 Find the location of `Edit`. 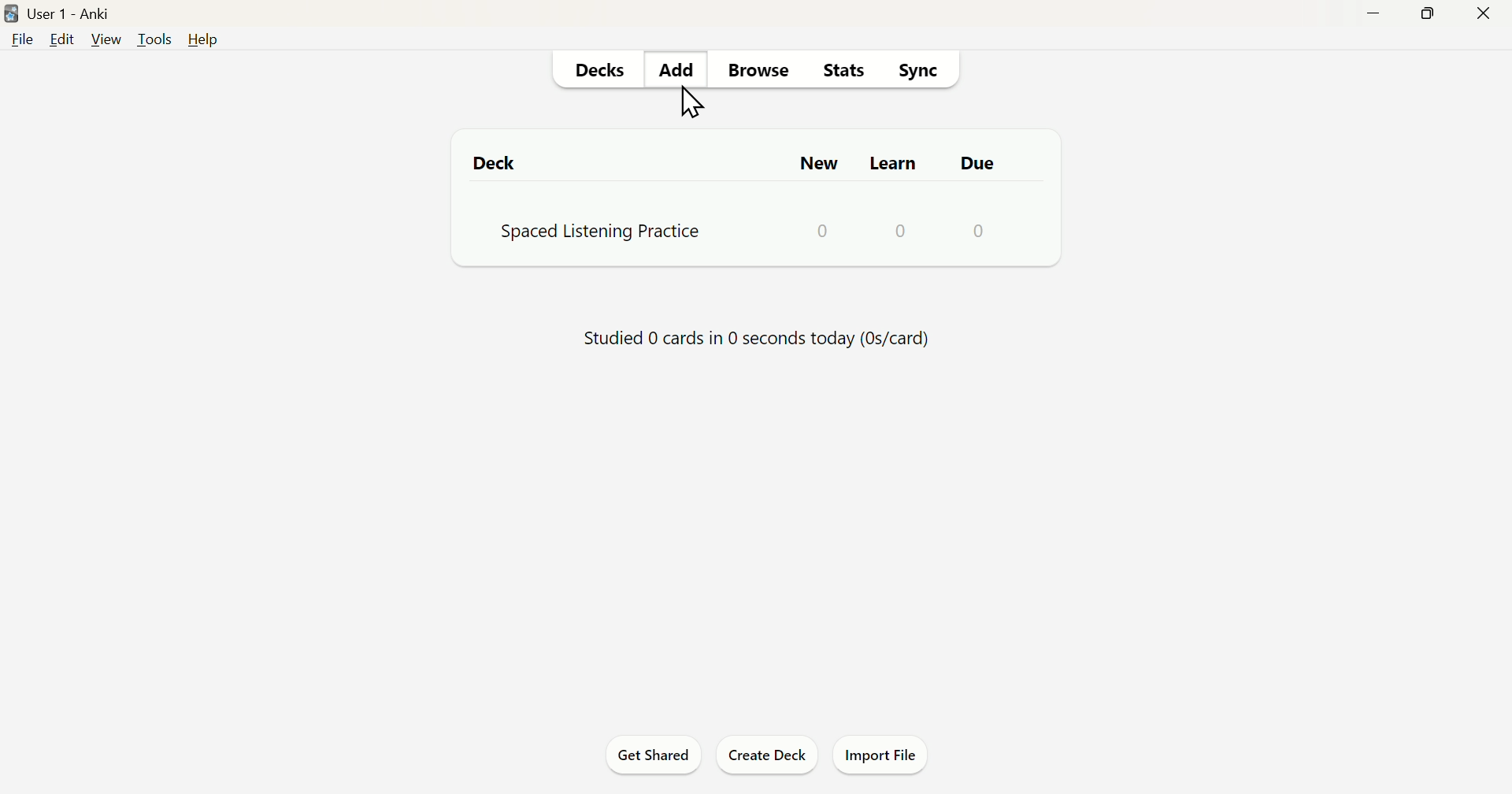

Edit is located at coordinates (62, 43).